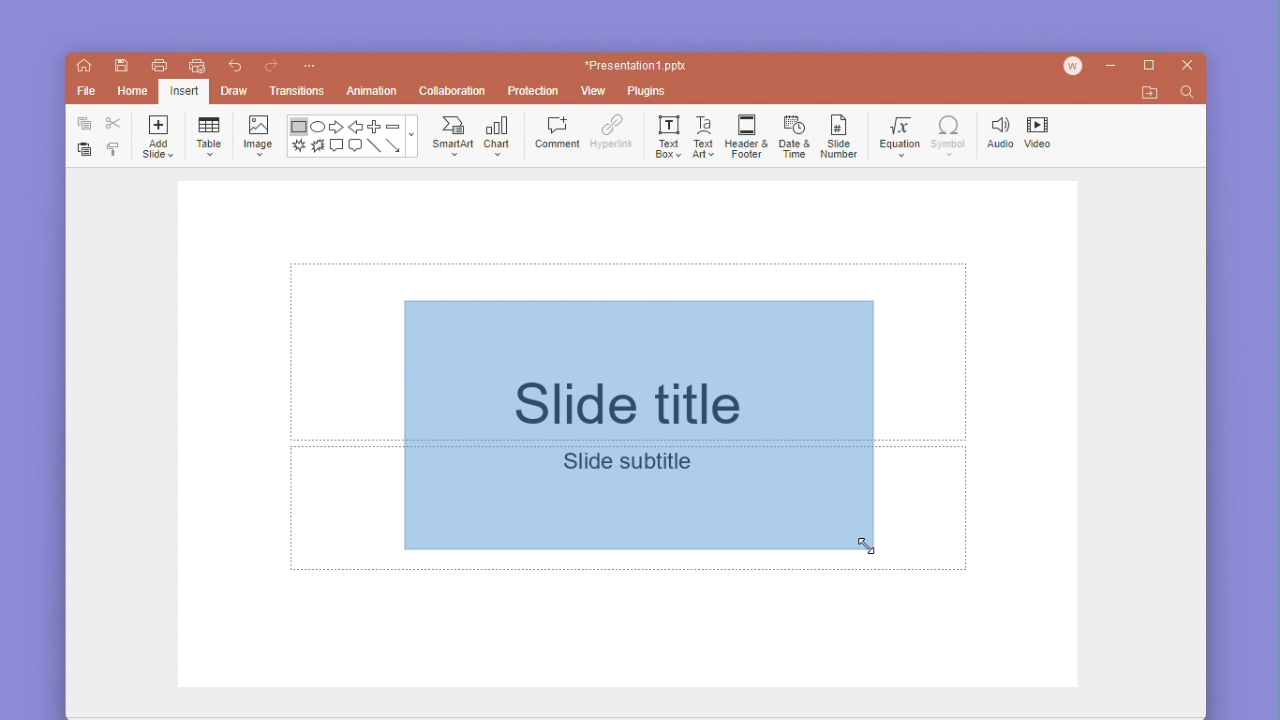  What do you see at coordinates (86, 91) in the screenshot?
I see `file` at bounding box center [86, 91].